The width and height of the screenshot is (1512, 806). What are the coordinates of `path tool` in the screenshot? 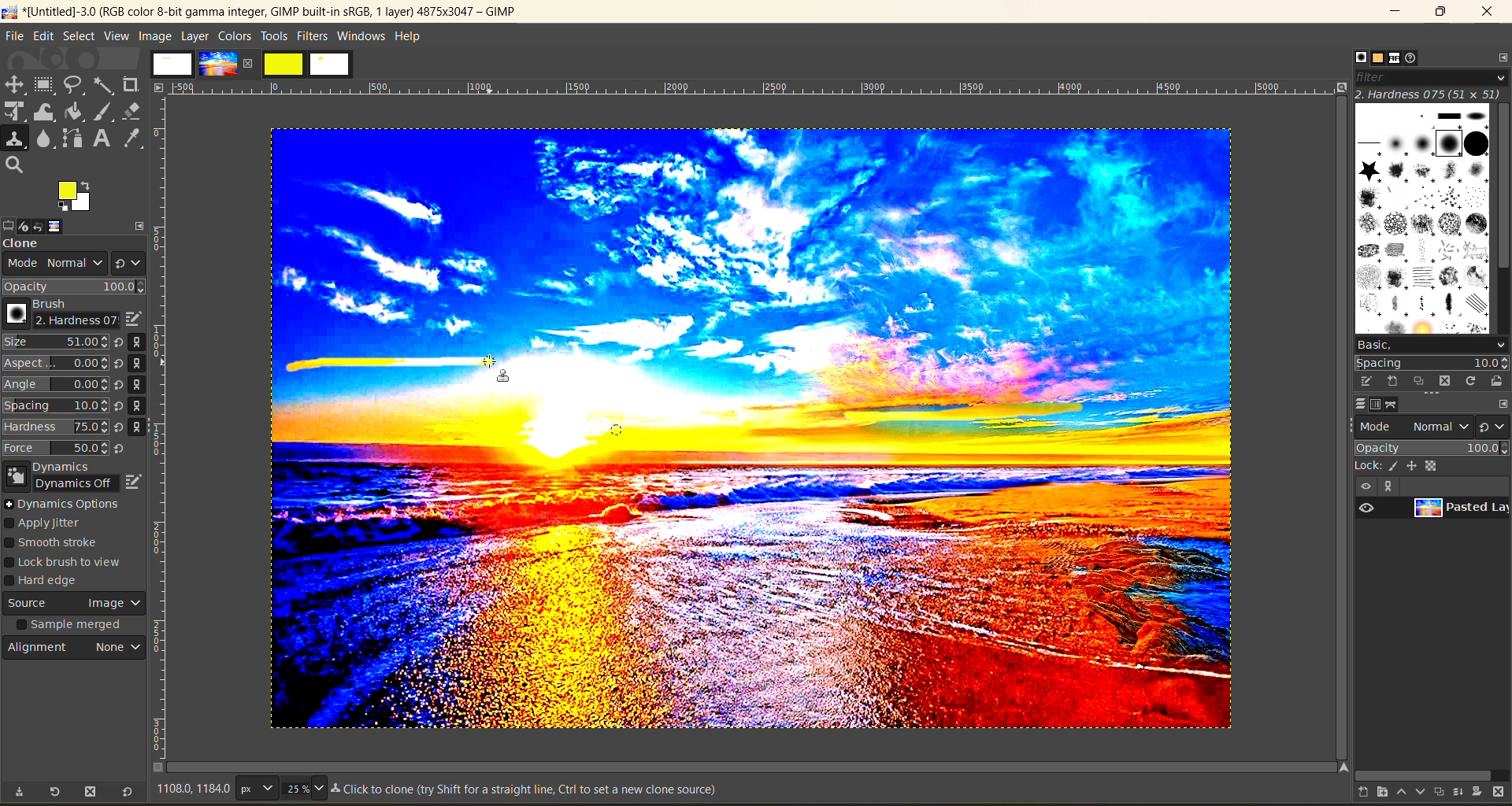 It's located at (72, 138).